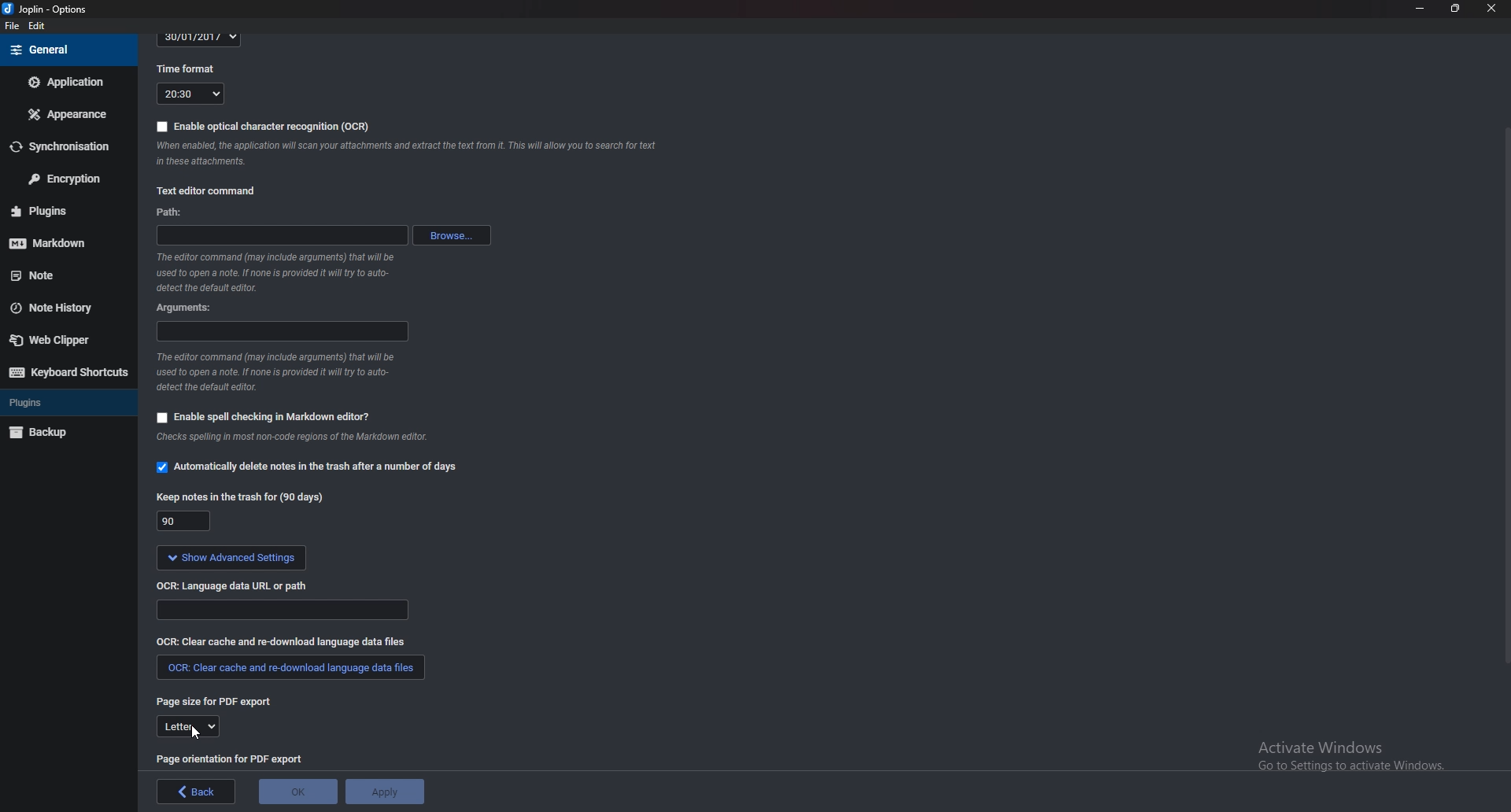 Image resolution: width=1511 pixels, height=812 pixels. What do you see at coordinates (284, 610) in the screenshot?
I see `Language data` at bounding box center [284, 610].